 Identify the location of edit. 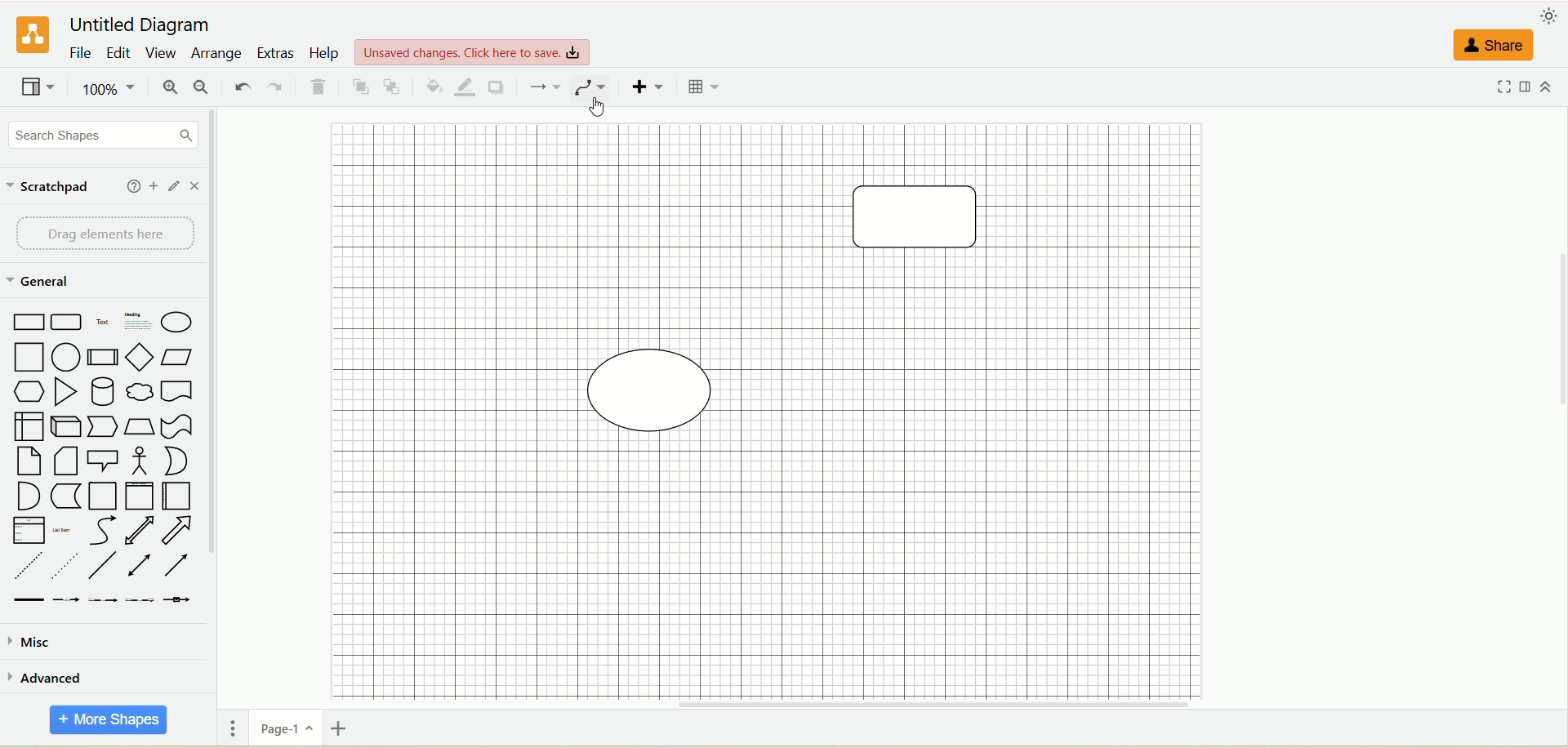
(175, 184).